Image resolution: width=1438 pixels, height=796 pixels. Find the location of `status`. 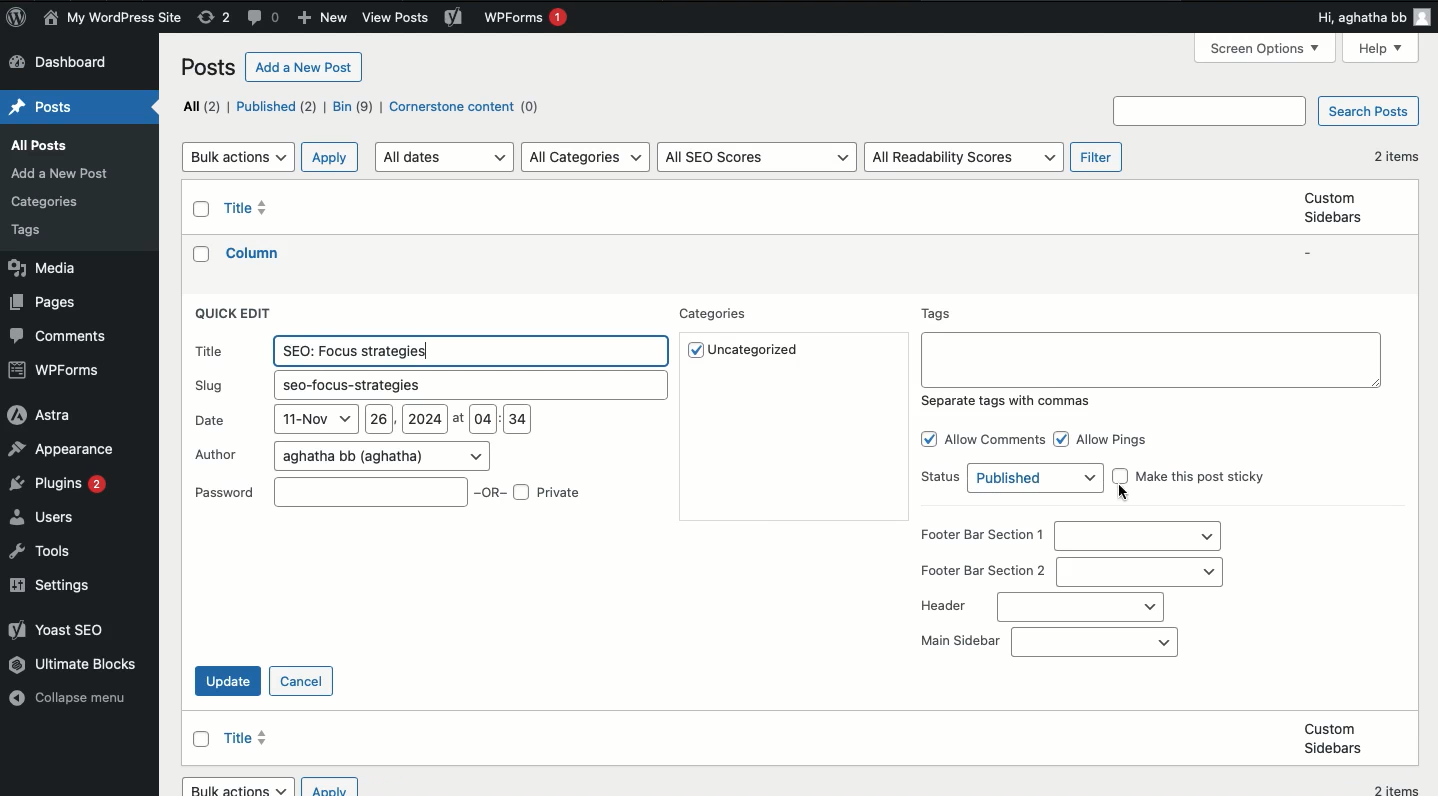

status is located at coordinates (1036, 479).